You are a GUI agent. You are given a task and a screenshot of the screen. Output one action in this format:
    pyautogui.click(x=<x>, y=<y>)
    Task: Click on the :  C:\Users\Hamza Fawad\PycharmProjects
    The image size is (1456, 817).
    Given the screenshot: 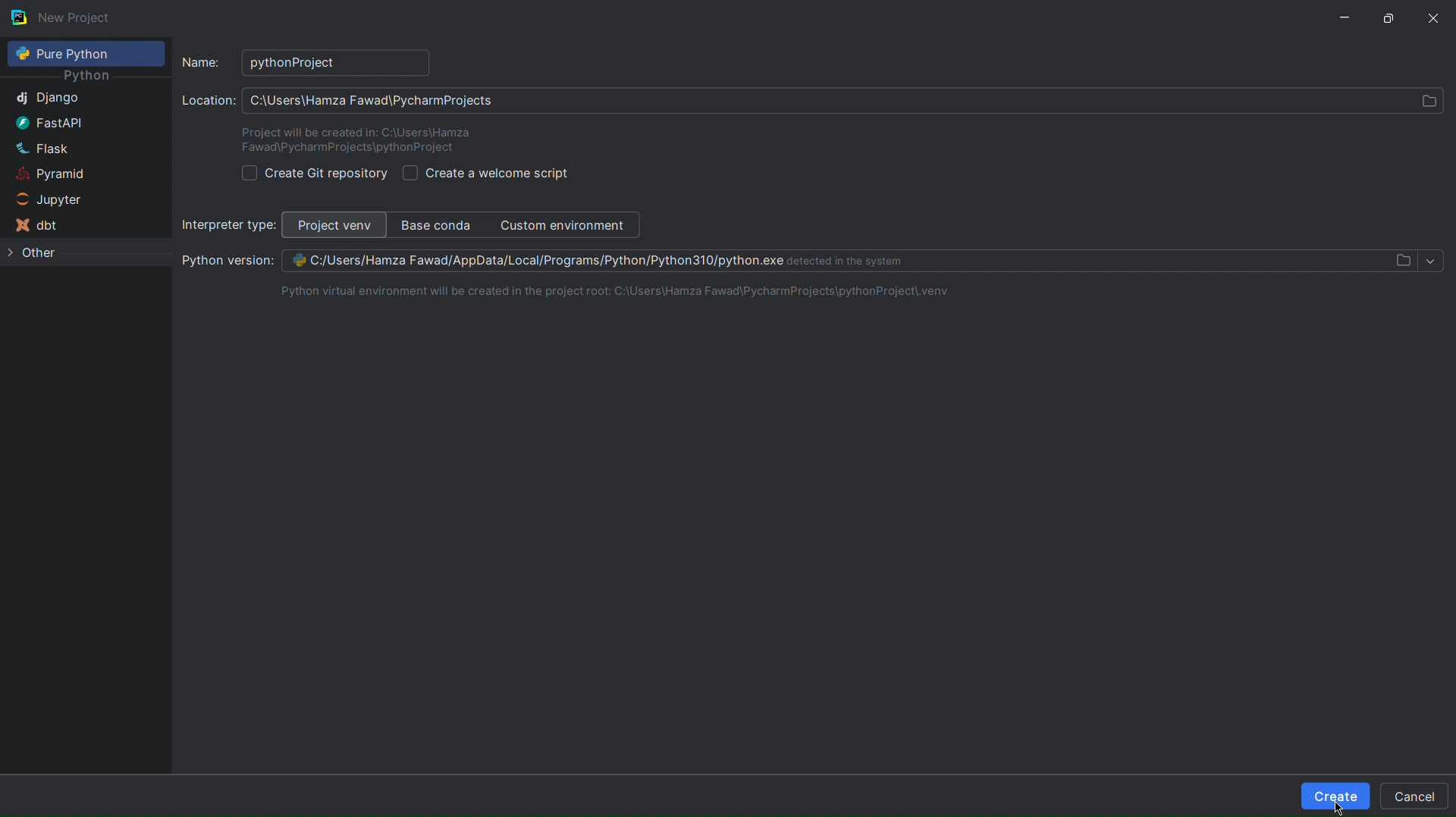 What is the action you would take?
    pyautogui.click(x=375, y=100)
    